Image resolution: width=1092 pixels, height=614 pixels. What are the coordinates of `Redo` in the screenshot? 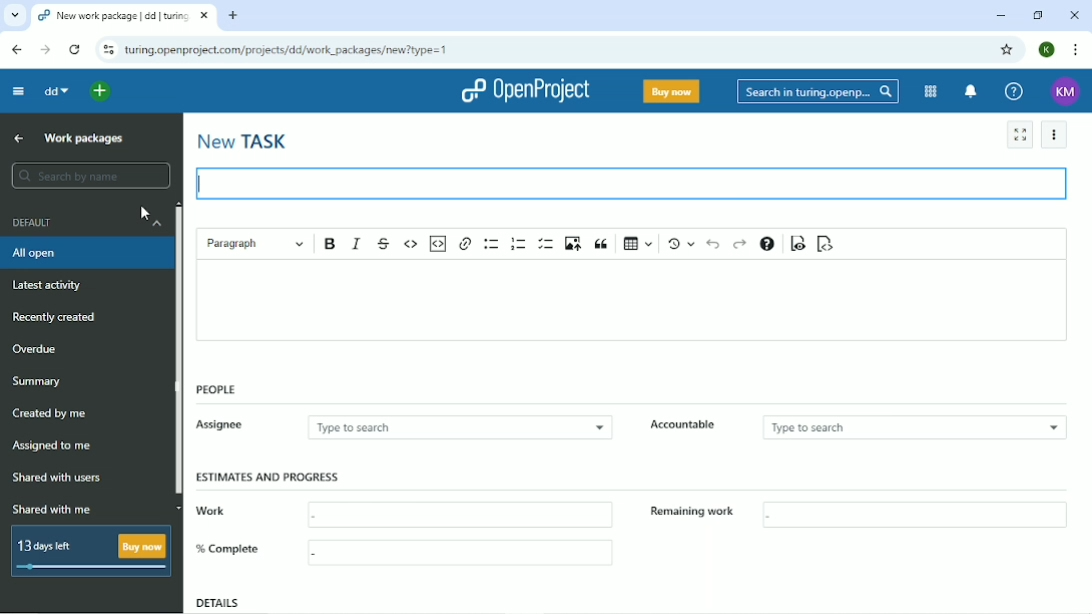 It's located at (741, 244).